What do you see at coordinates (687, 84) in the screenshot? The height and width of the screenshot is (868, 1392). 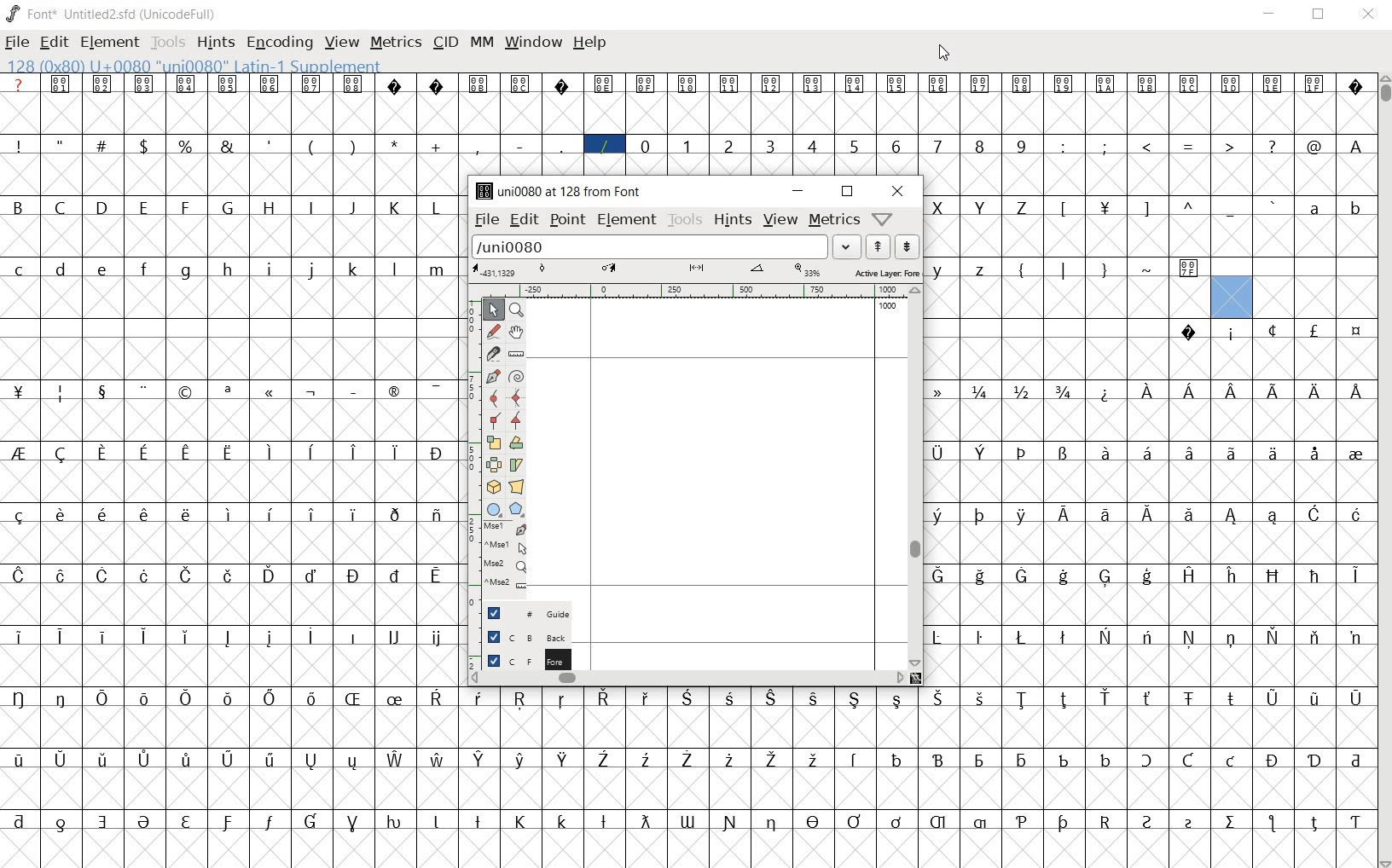 I see `glyph` at bounding box center [687, 84].